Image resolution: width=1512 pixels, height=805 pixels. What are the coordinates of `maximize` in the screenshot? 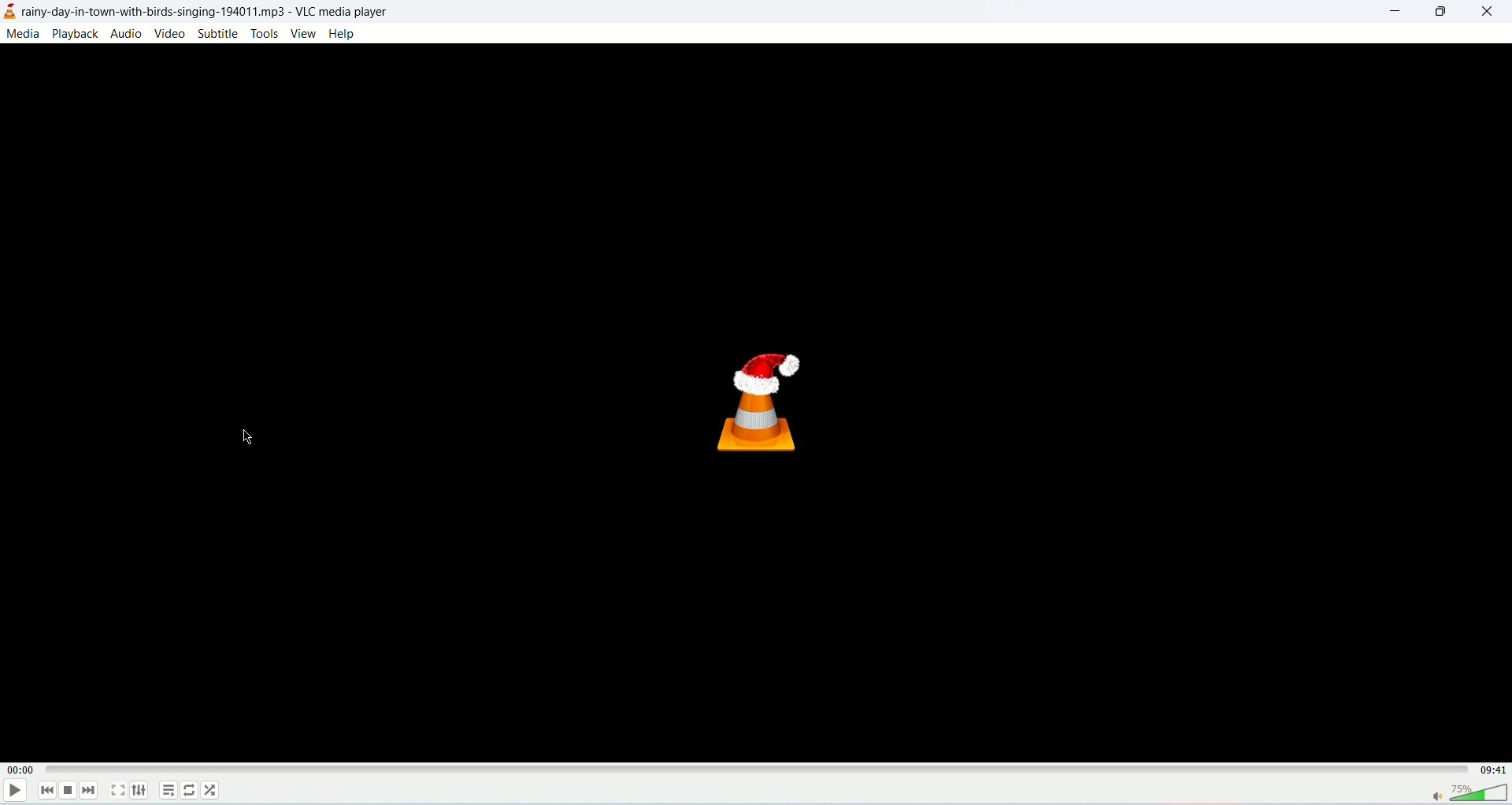 It's located at (1442, 13).